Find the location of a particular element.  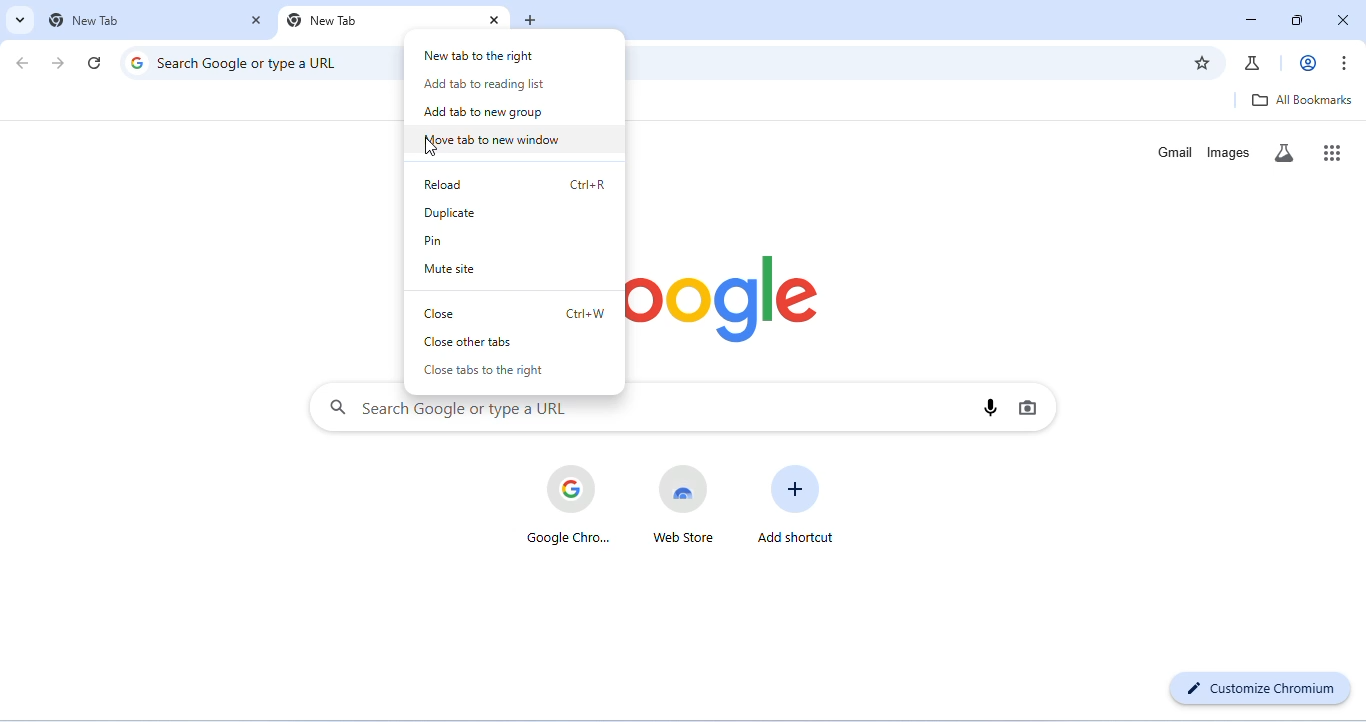

add tab to reading list is located at coordinates (483, 85).